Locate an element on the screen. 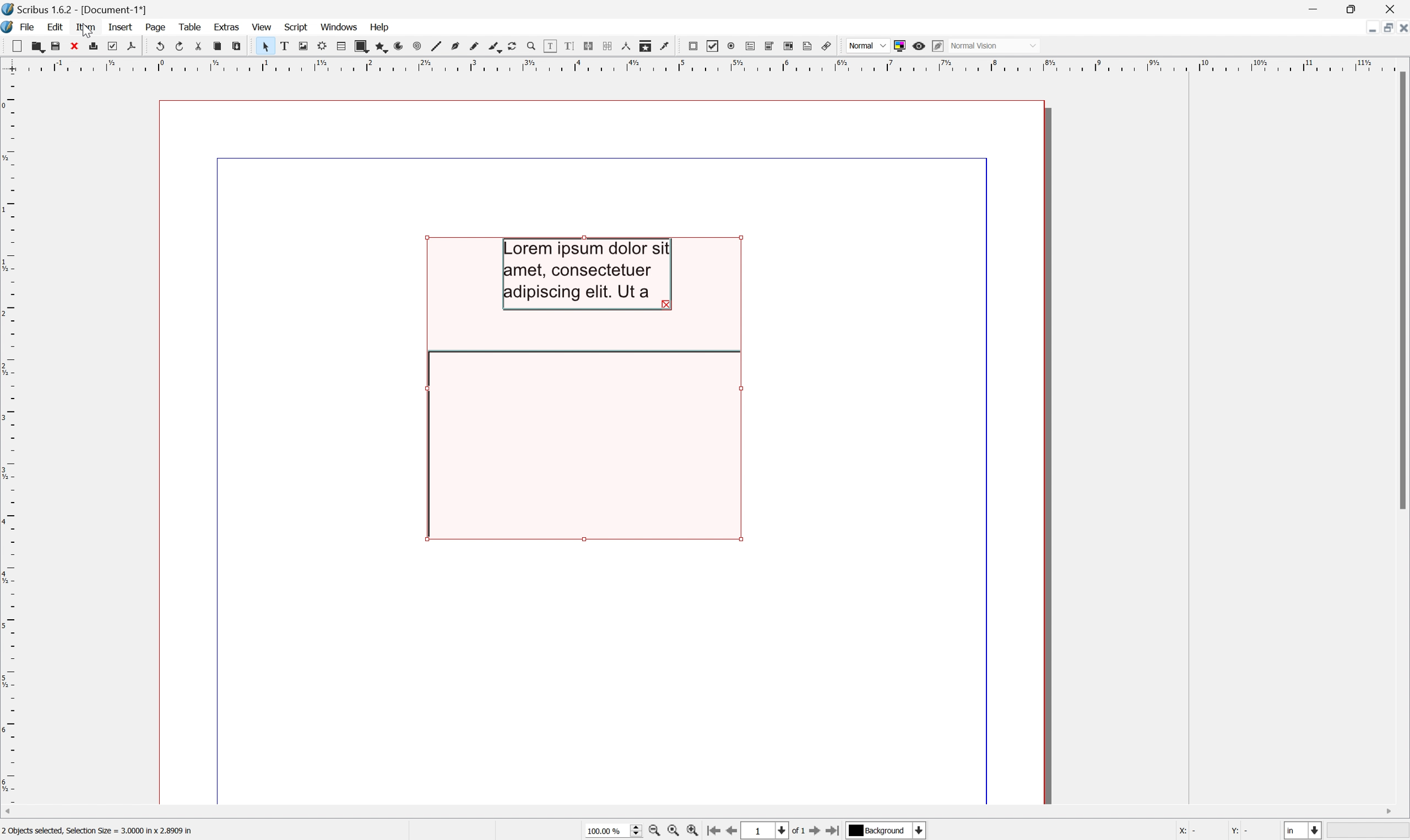  File is located at coordinates (25, 27).